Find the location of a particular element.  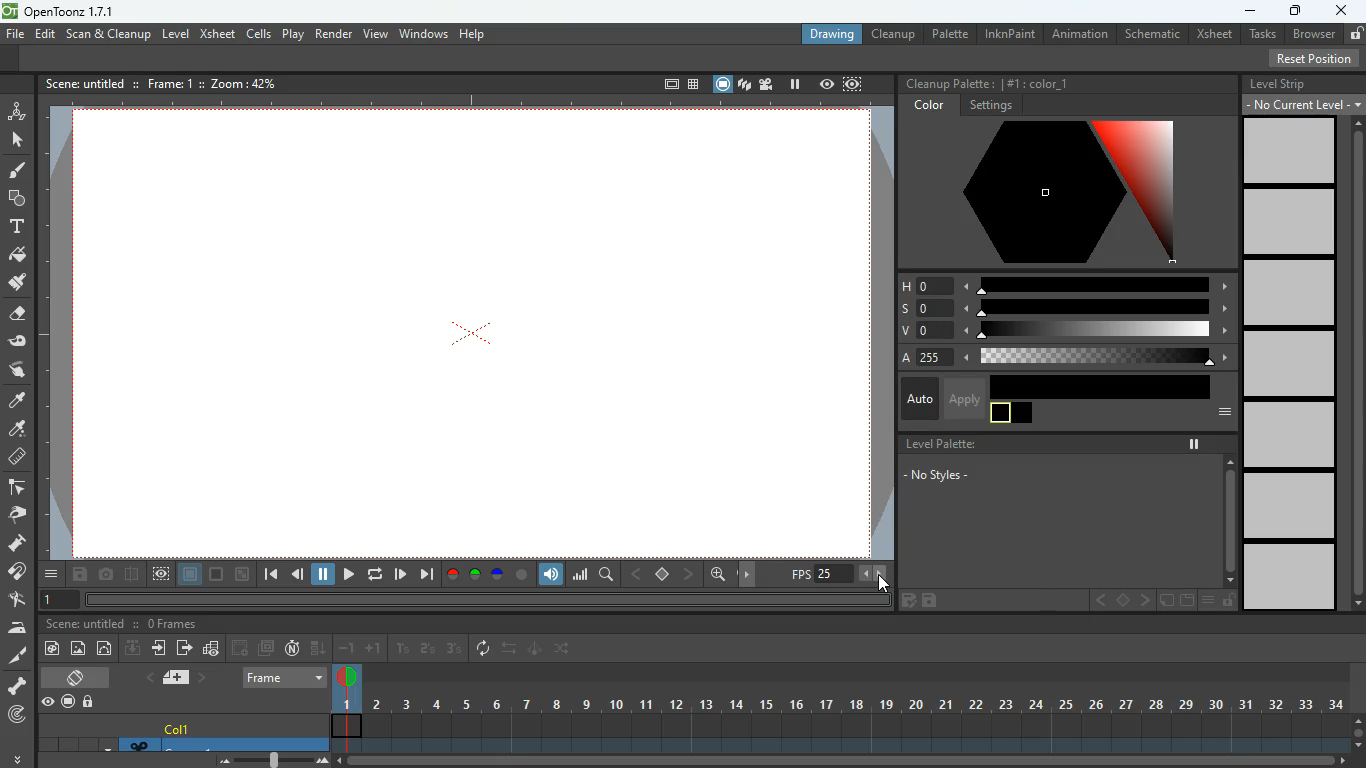

minimize is located at coordinates (1246, 10).